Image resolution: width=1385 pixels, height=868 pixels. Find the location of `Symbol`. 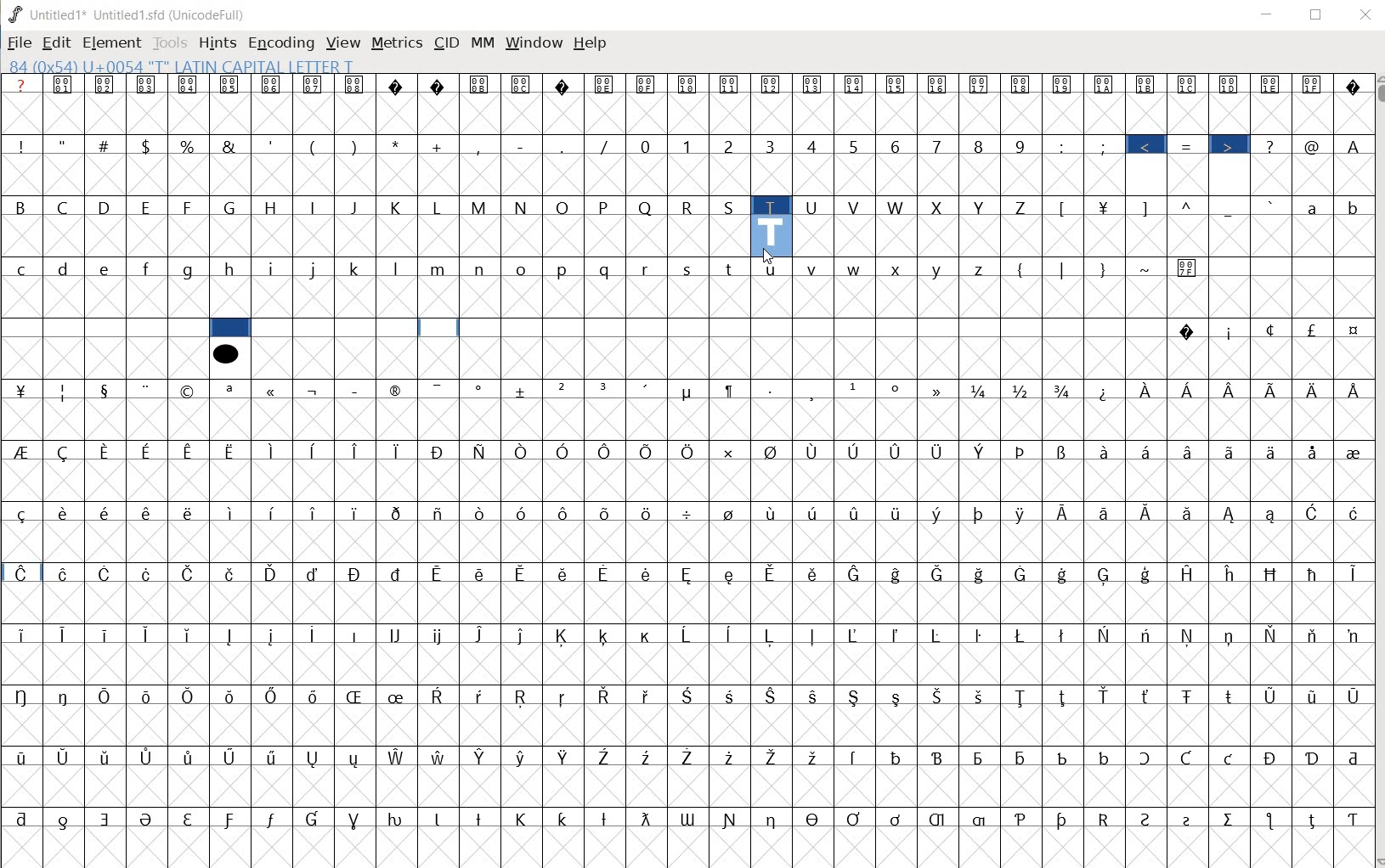

Symbol is located at coordinates (1350, 758).